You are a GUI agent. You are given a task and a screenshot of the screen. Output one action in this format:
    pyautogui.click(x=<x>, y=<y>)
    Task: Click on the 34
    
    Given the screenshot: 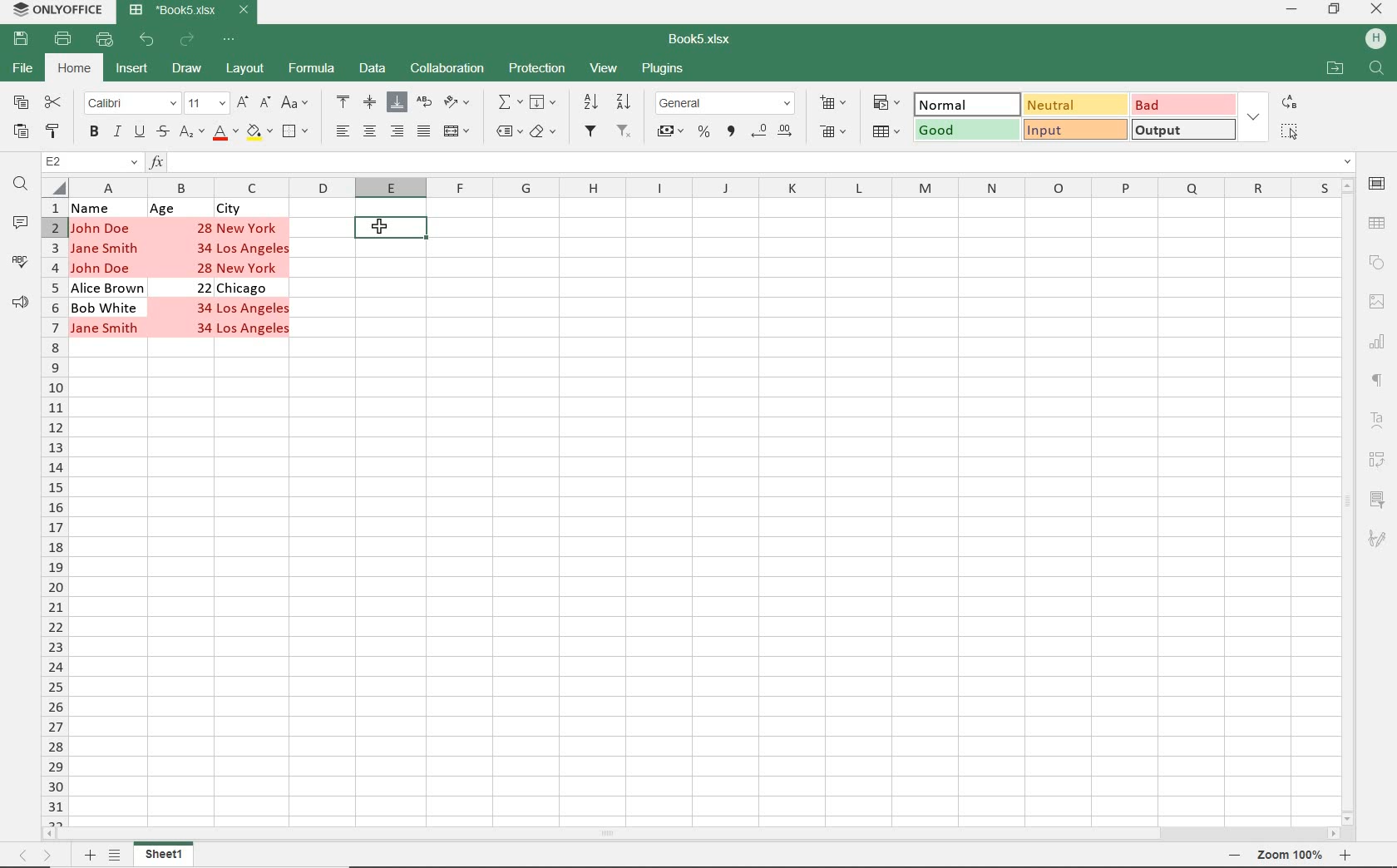 What is the action you would take?
    pyautogui.click(x=205, y=332)
    